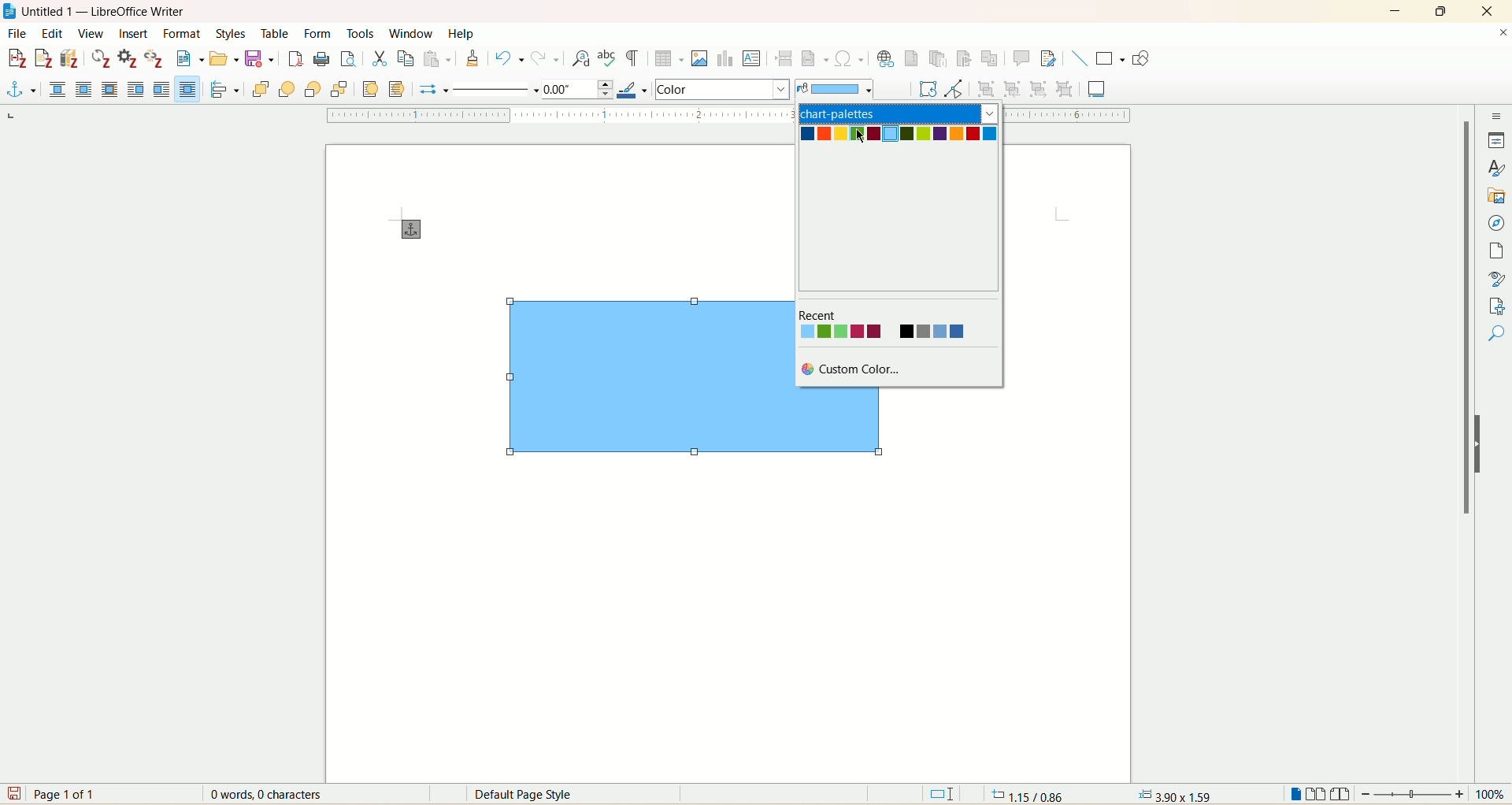 This screenshot has height=805, width=1512. Describe the element at coordinates (1499, 307) in the screenshot. I see `manage changes` at that location.